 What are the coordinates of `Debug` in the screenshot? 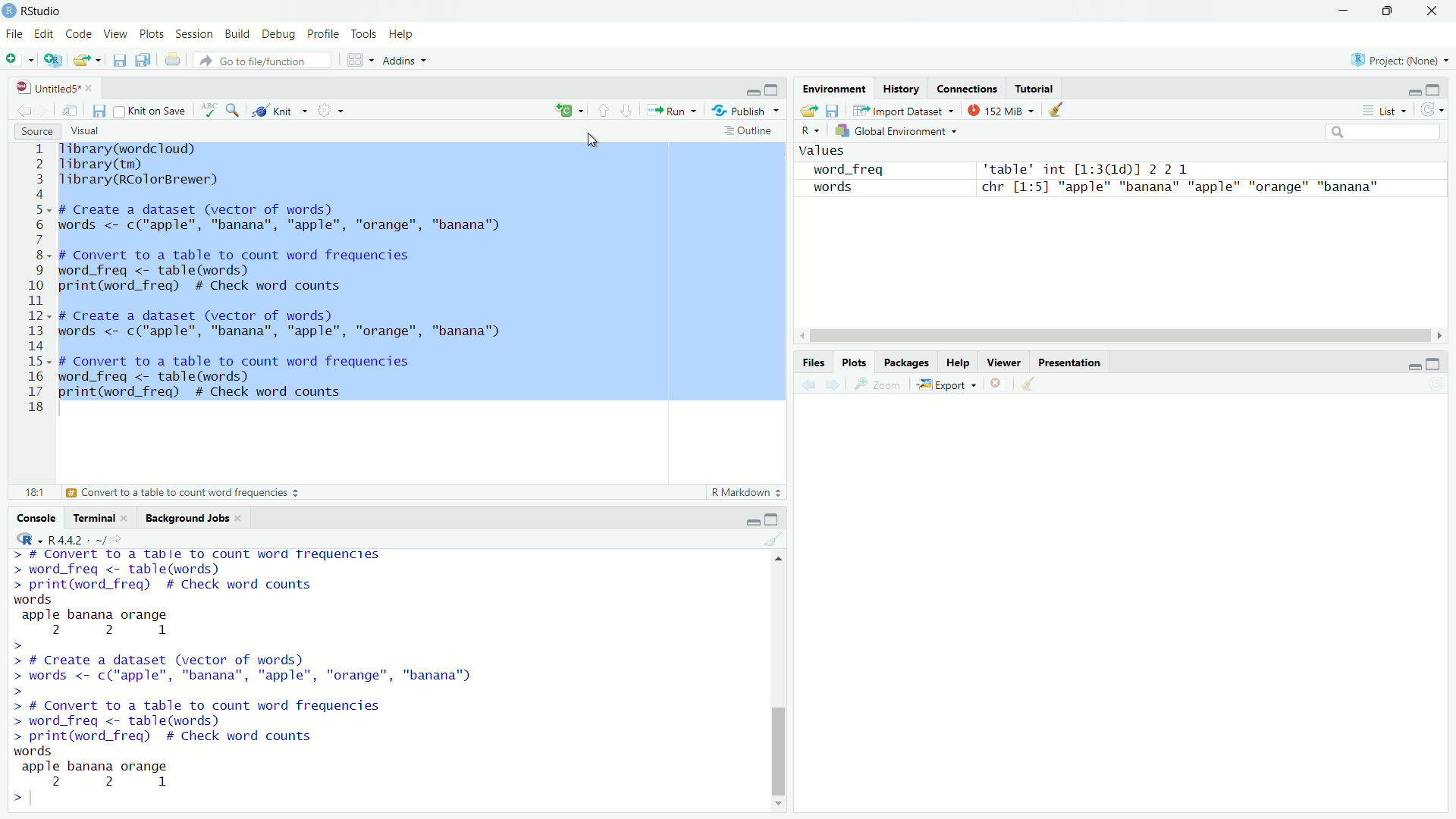 It's located at (278, 36).